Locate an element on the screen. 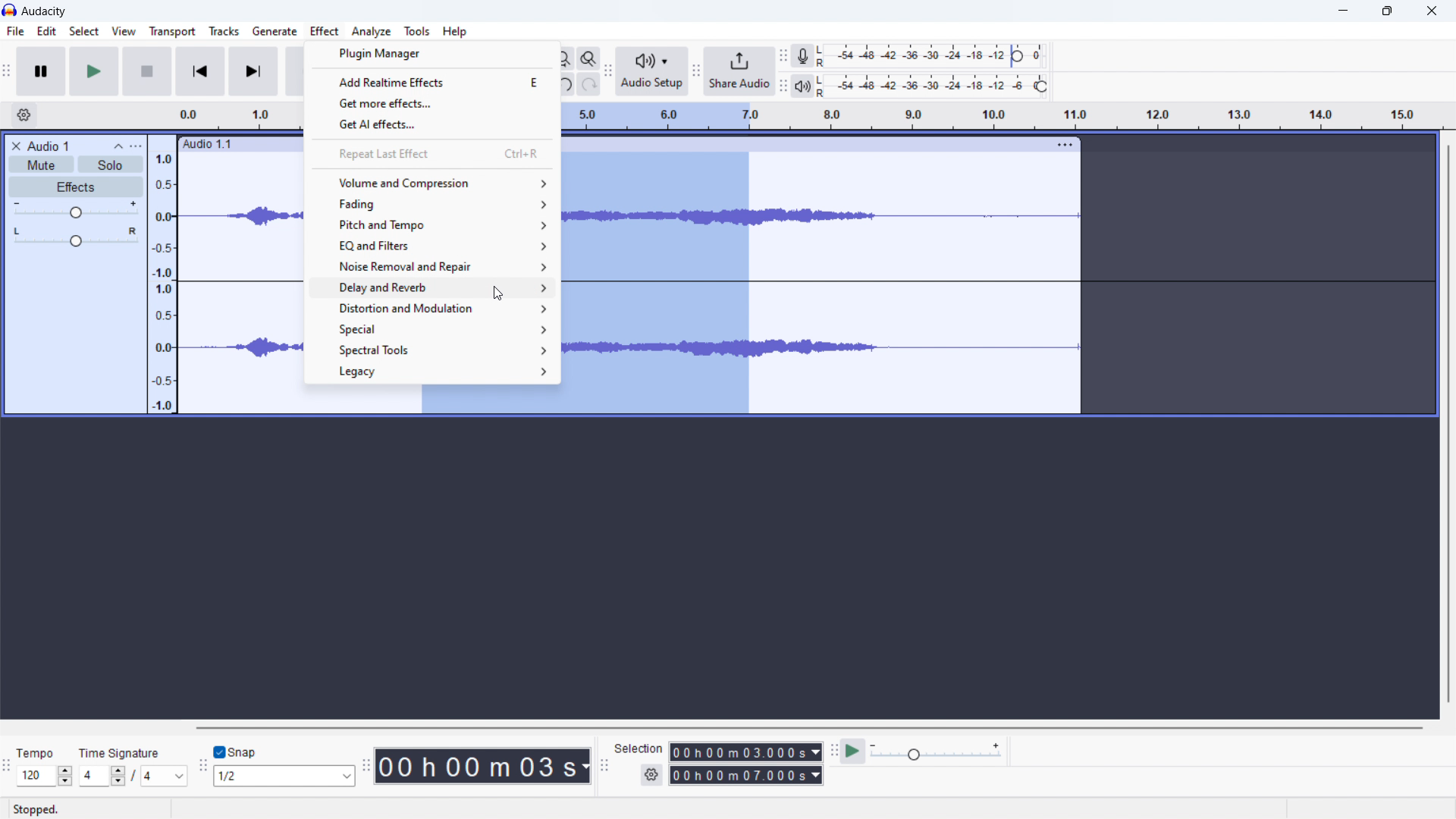  120 is located at coordinates (45, 776).